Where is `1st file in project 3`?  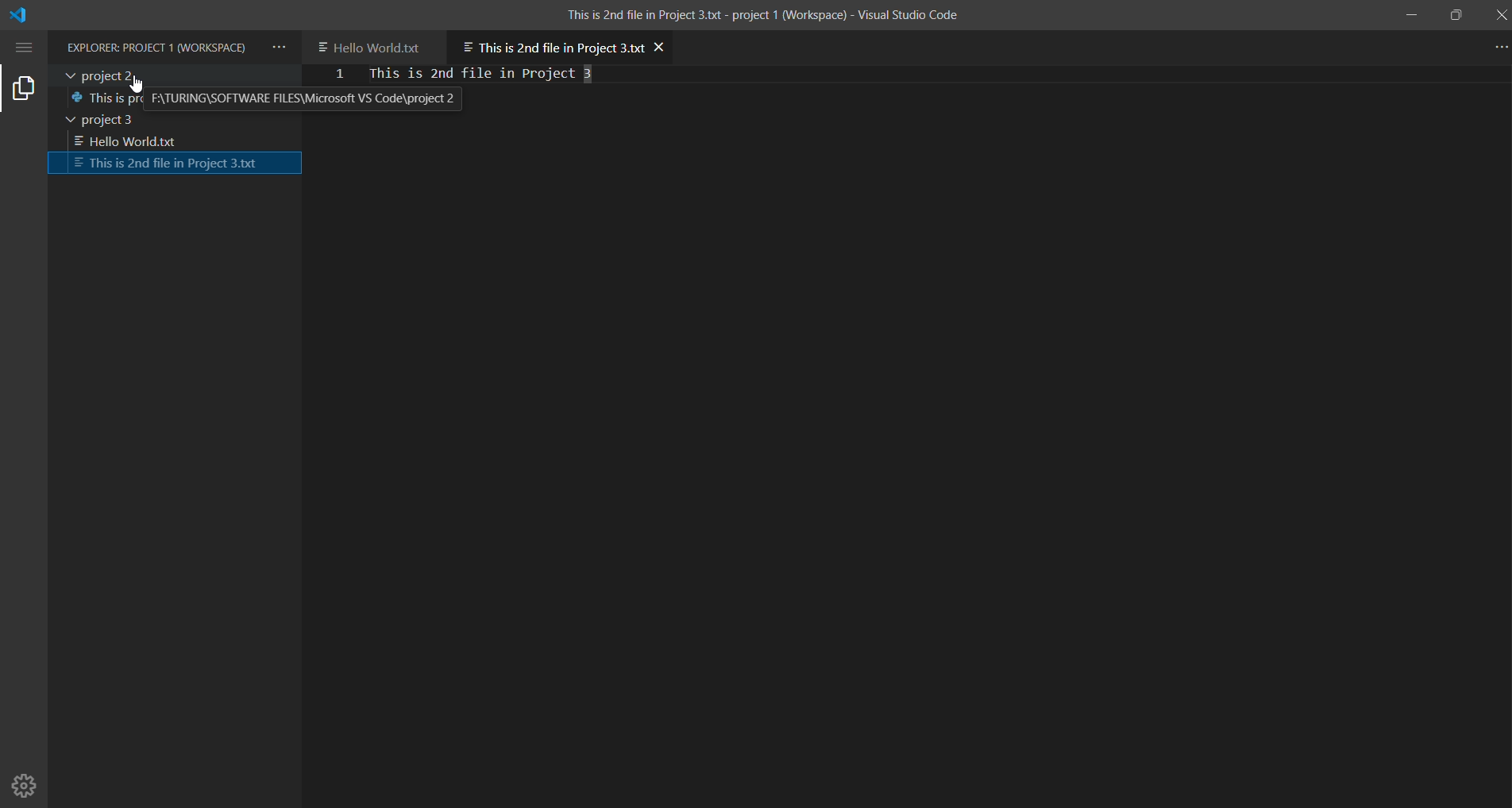 1st file in project 3 is located at coordinates (171, 141).